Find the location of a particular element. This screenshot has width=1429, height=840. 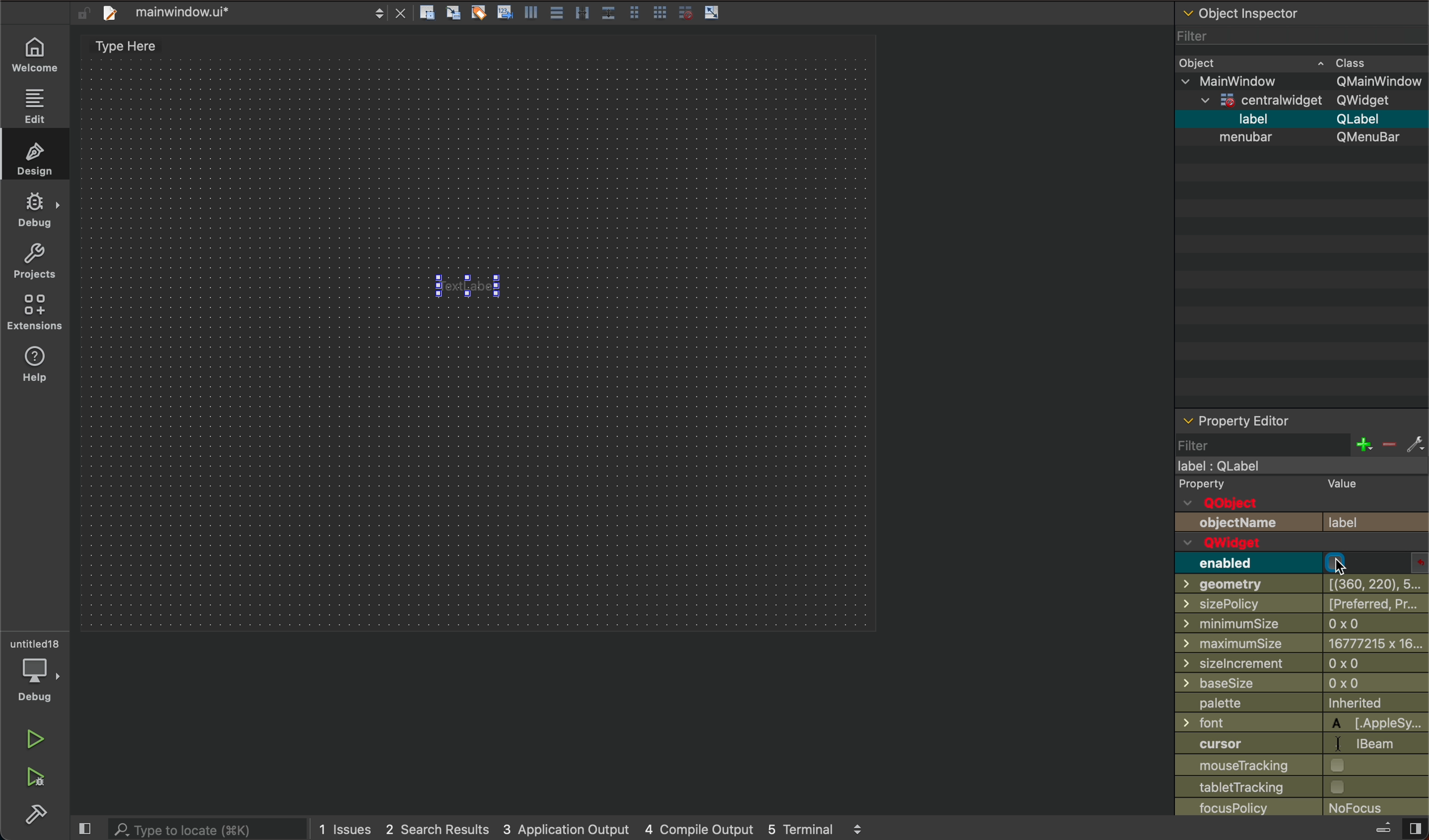

checkbox is located at coordinates (1347, 766).